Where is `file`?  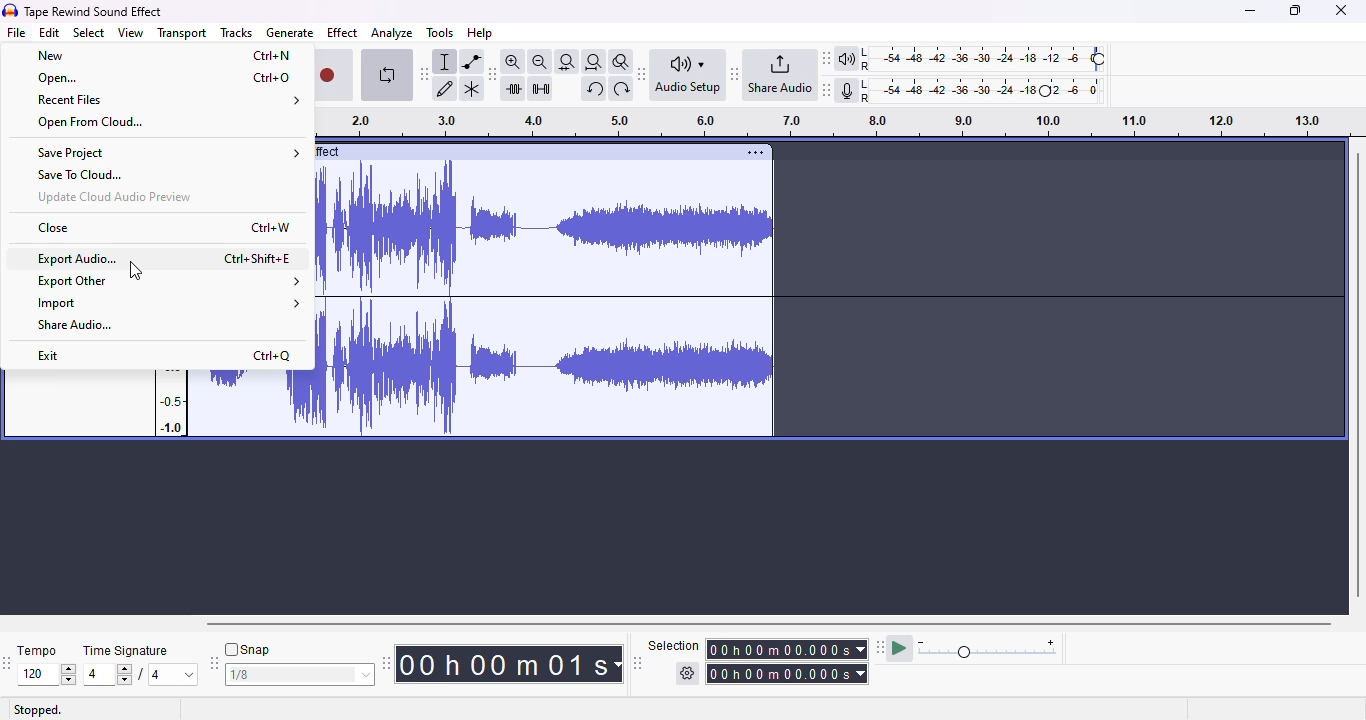
file is located at coordinates (17, 32).